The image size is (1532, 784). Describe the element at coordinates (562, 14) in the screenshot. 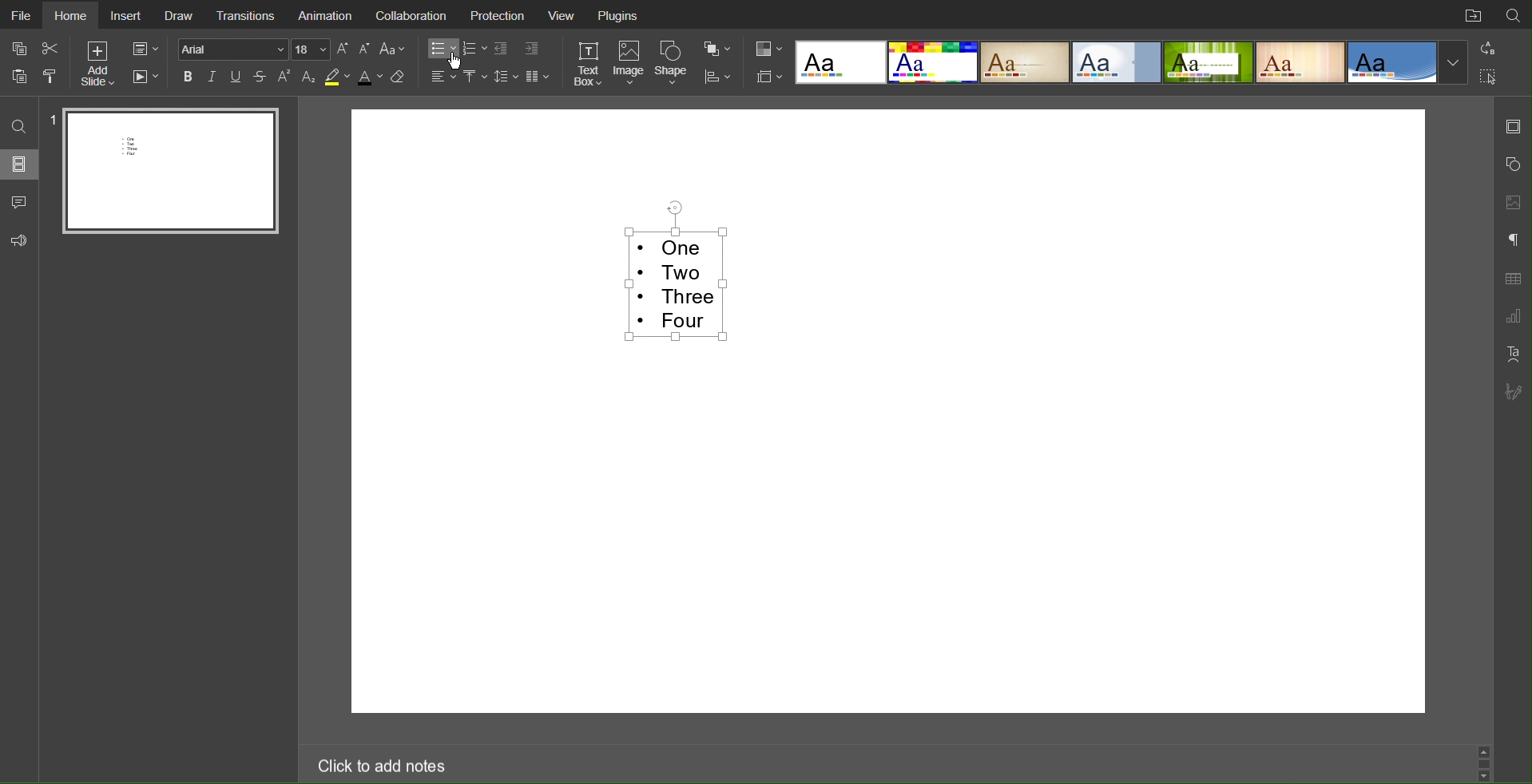

I see `View` at that location.